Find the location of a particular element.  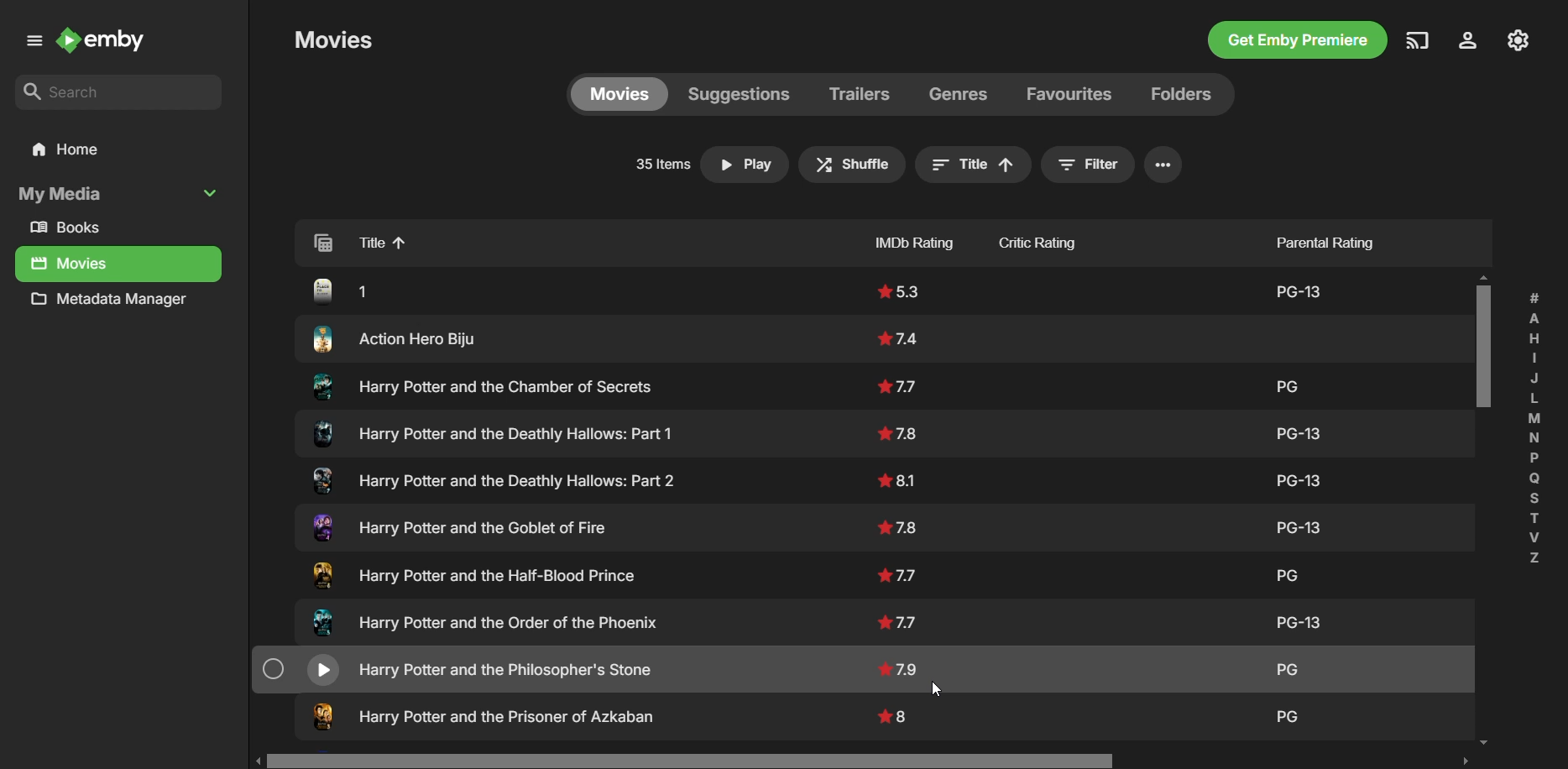

 is located at coordinates (467, 526).